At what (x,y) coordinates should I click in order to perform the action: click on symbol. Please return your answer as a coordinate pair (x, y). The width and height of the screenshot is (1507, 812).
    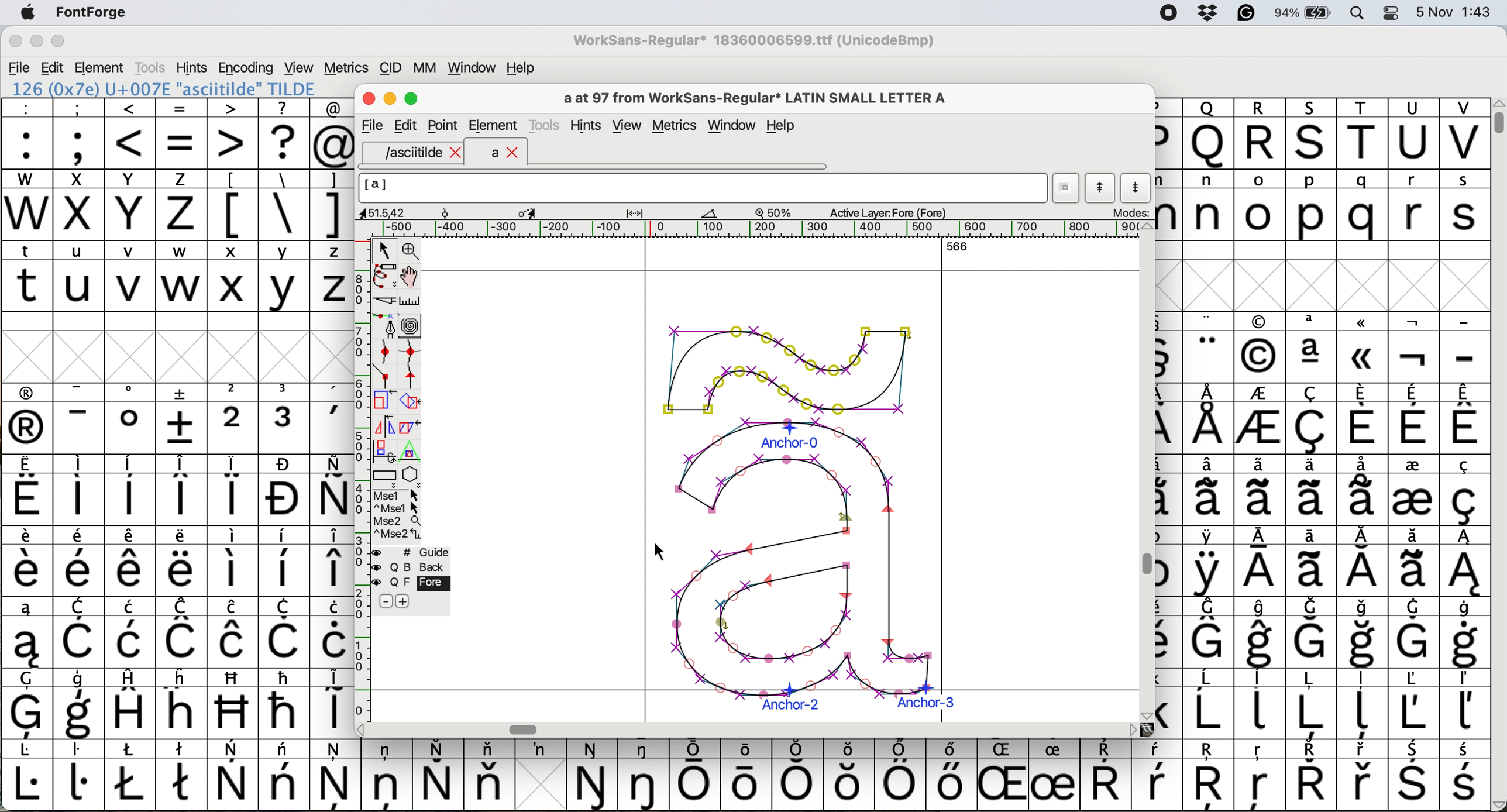
    Looking at the image, I should click on (1208, 562).